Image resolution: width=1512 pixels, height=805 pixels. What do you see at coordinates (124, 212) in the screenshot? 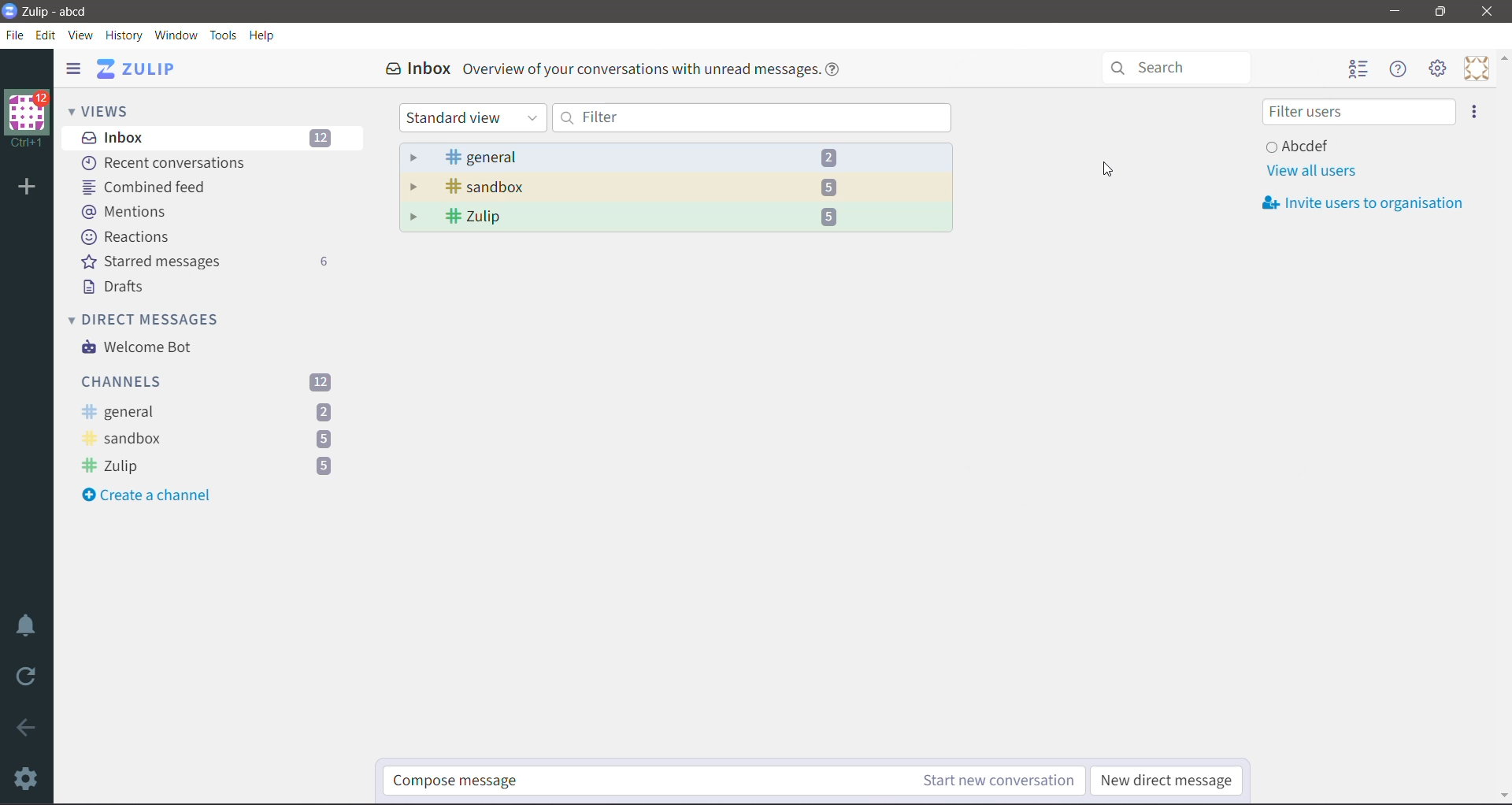
I see `Mentions` at bounding box center [124, 212].